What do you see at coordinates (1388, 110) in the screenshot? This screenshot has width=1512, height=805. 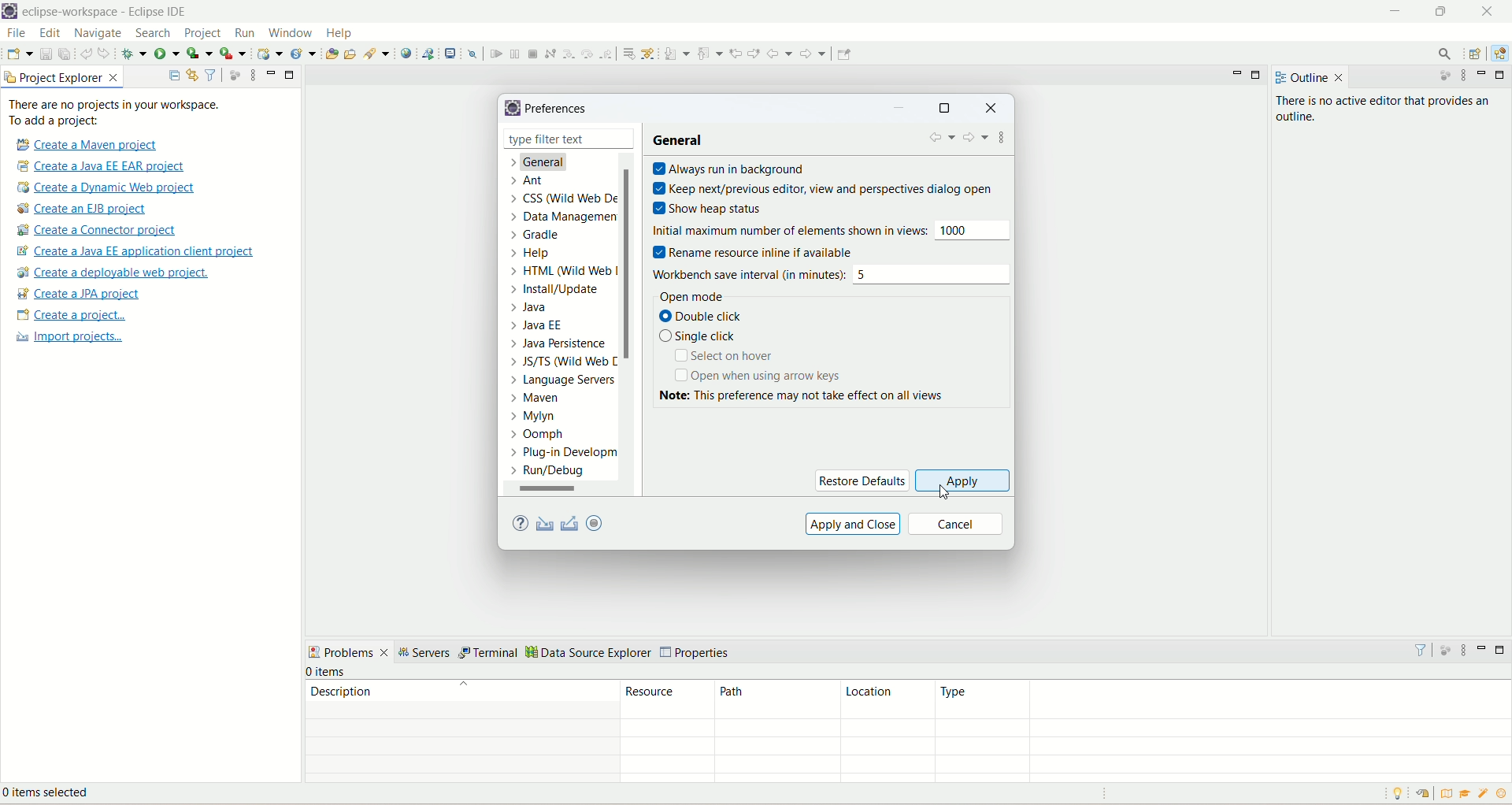 I see `There is no active editor that provides outline.` at bounding box center [1388, 110].